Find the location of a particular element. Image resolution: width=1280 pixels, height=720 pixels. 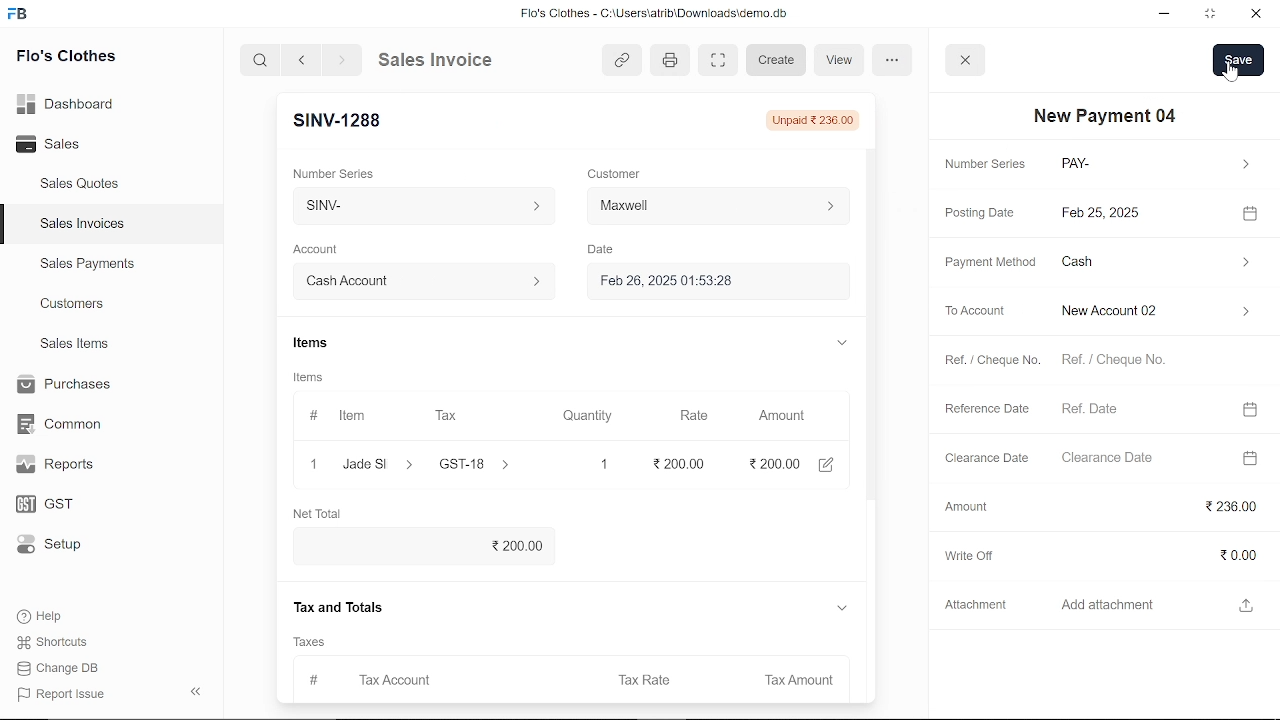

New Payment 04 is located at coordinates (1108, 115).